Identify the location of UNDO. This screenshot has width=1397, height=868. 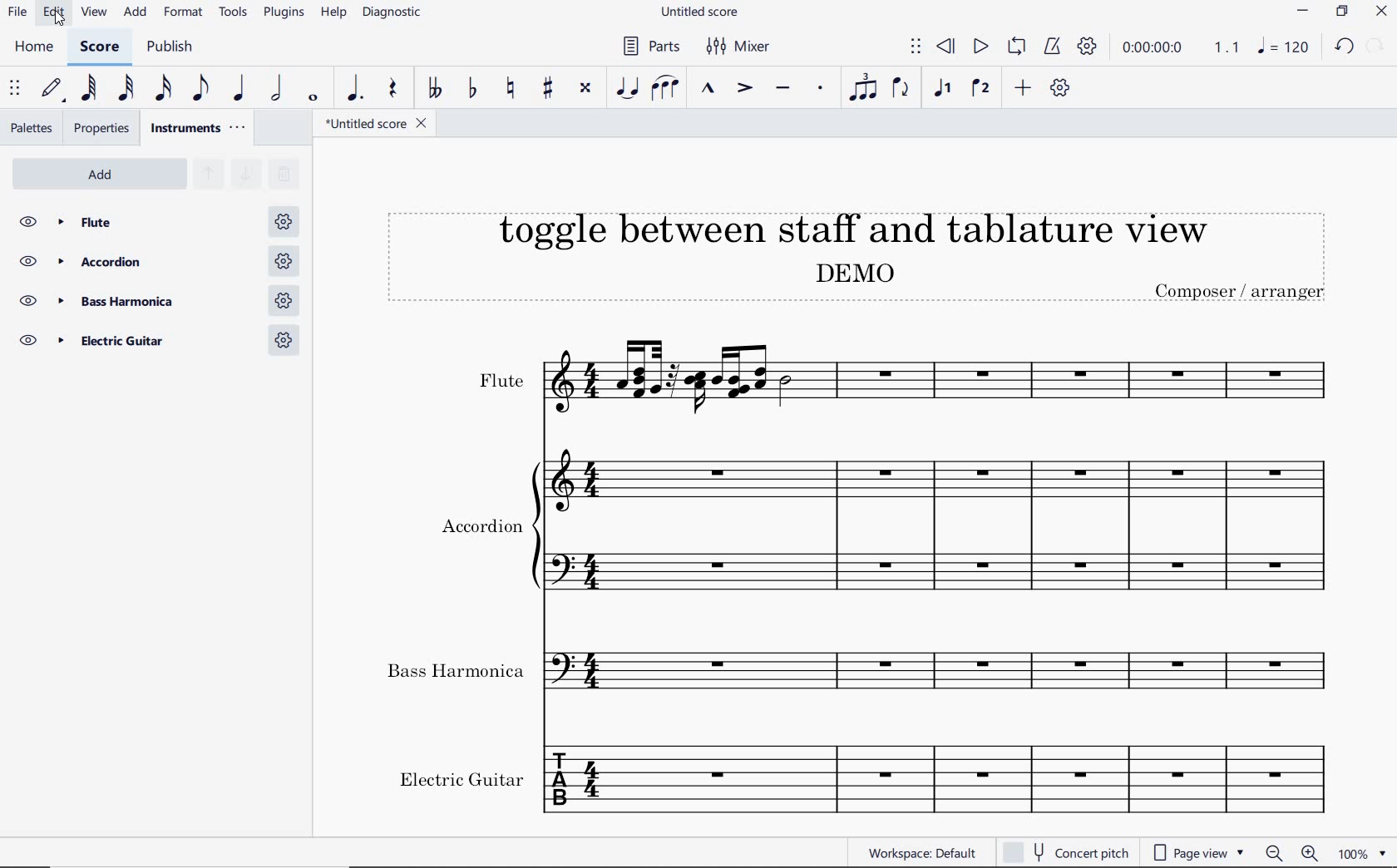
(1345, 49).